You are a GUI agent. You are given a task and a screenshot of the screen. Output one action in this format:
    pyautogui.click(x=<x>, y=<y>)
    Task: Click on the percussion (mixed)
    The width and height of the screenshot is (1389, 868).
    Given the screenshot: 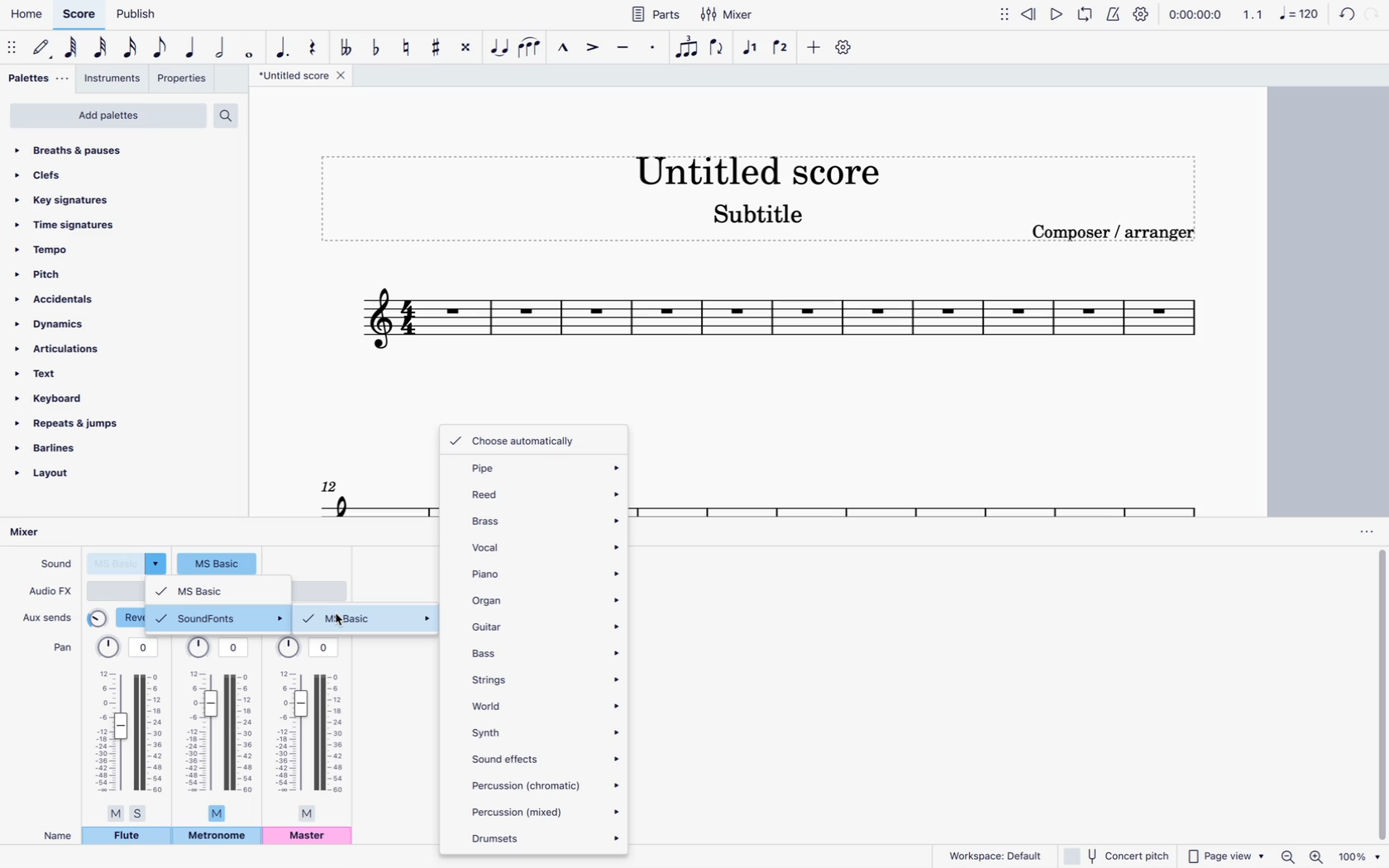 What is the action you would take?
    pyautogui.click(x=546, y=811)
    